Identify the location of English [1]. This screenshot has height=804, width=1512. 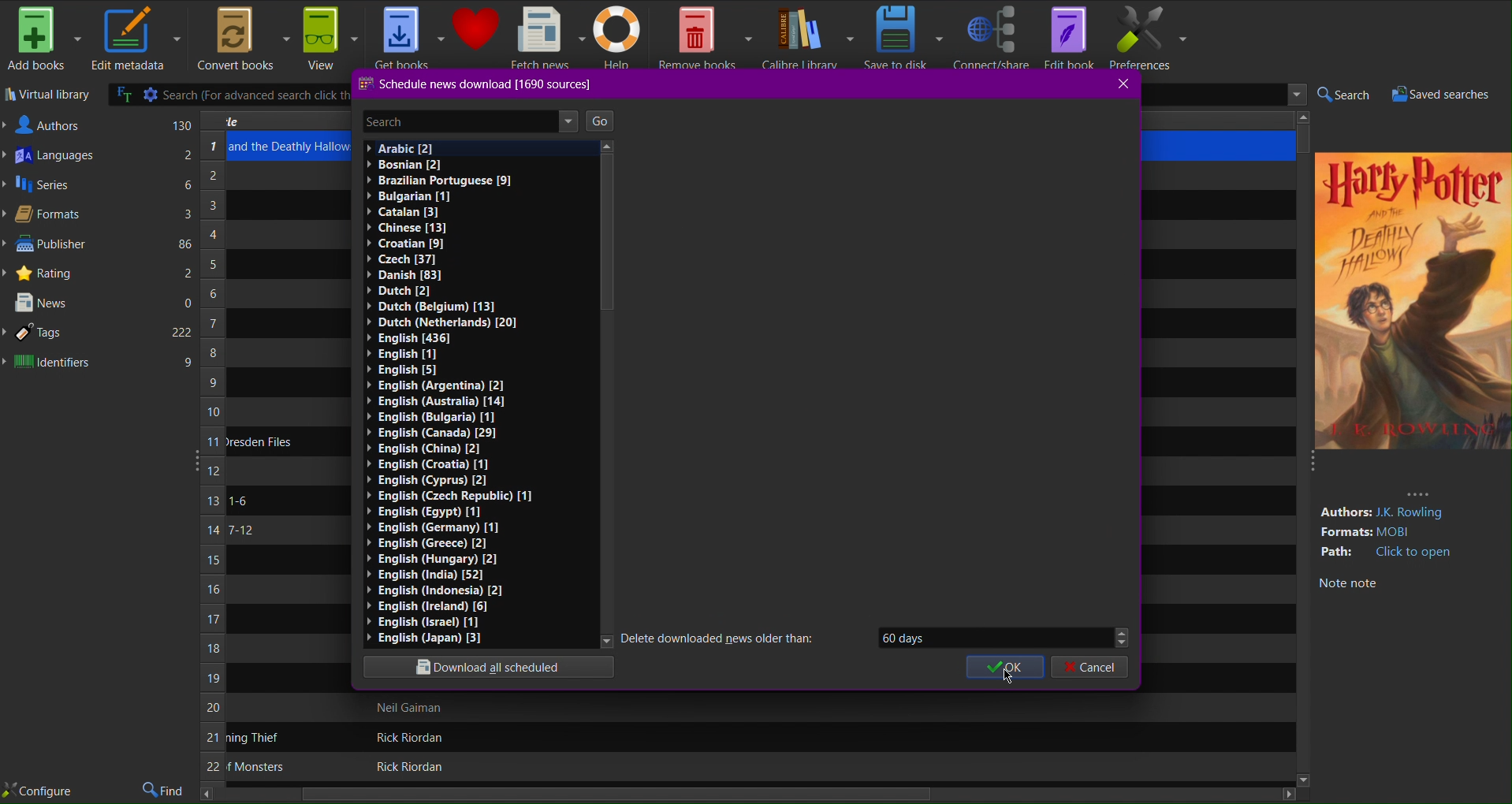
(400, 355).